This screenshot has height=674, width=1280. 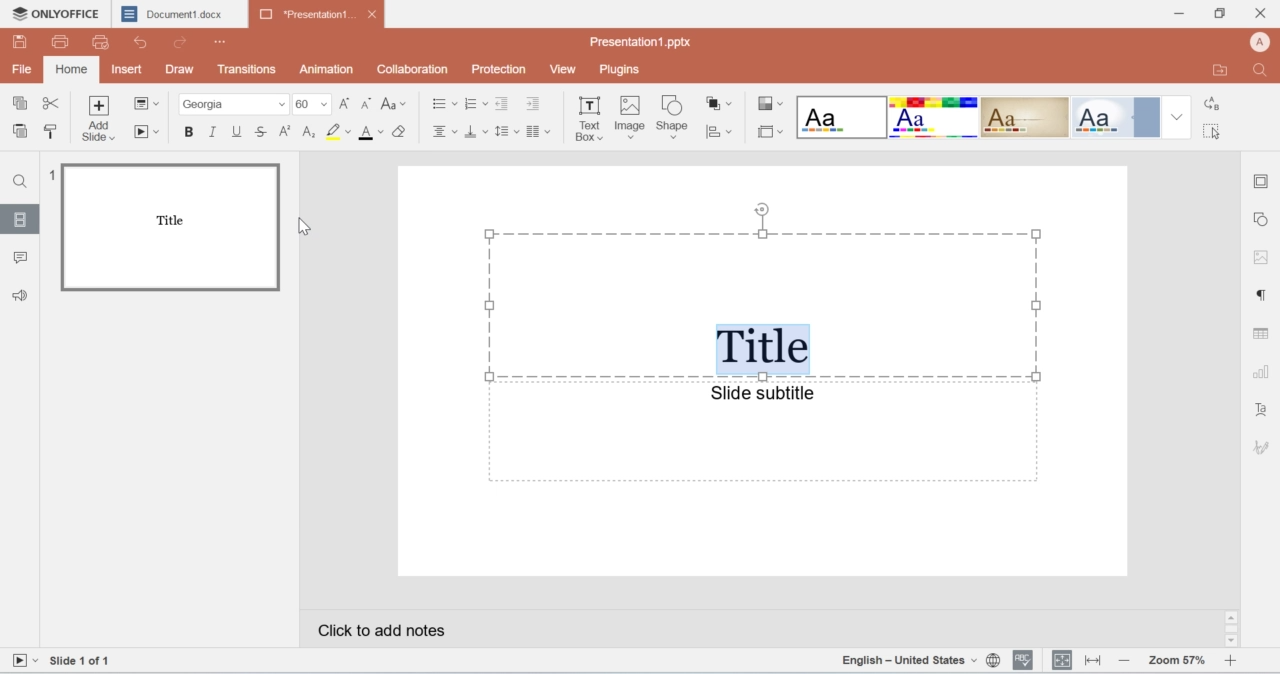 I want to click on case, so click(x=395, y=104).